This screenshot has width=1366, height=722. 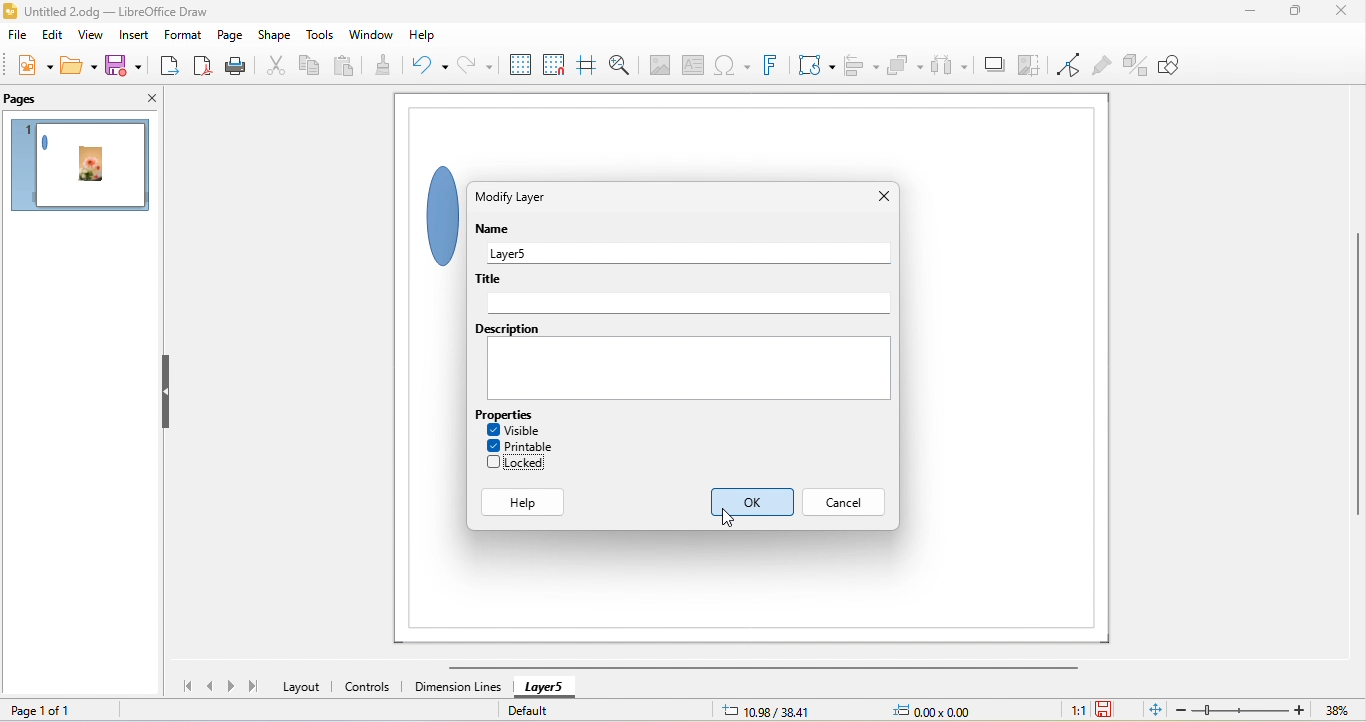 I want to click on close, so click(x=884, y=196).